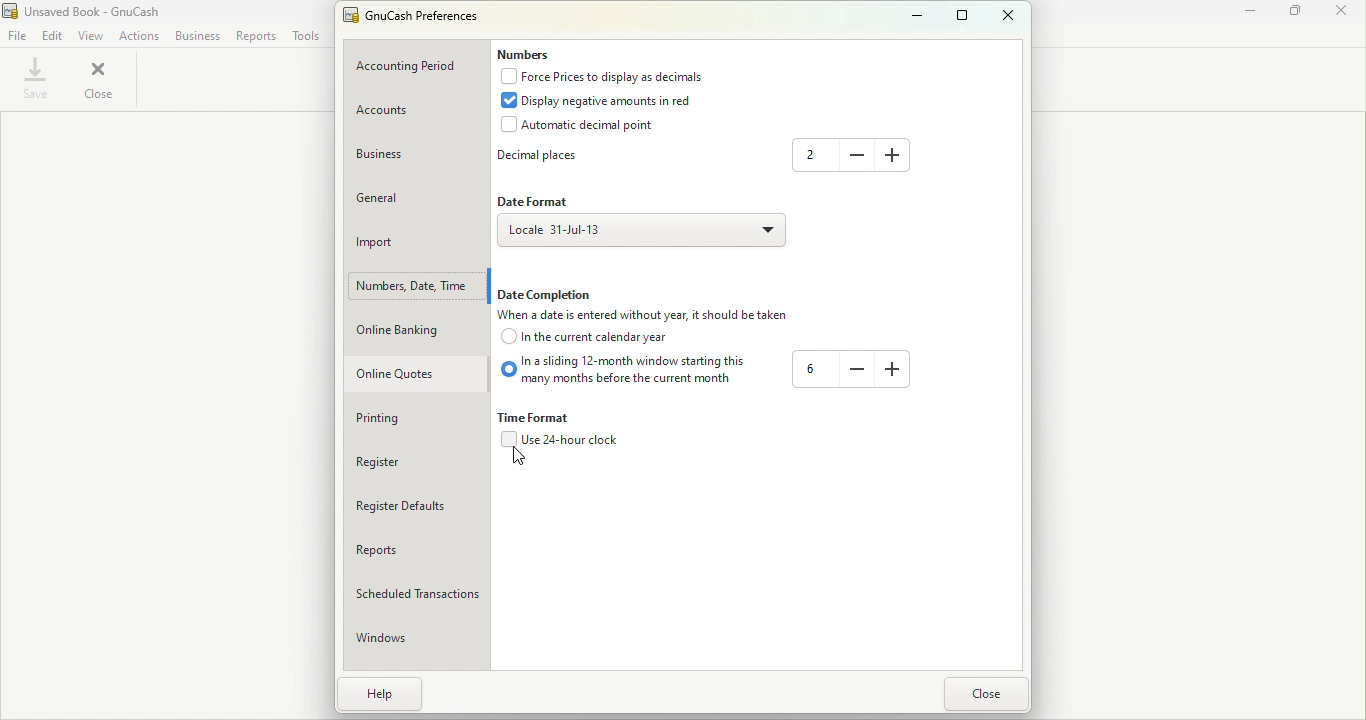 This screenshot has height=720, width=1366. I want to click on close, so click(101, 80).